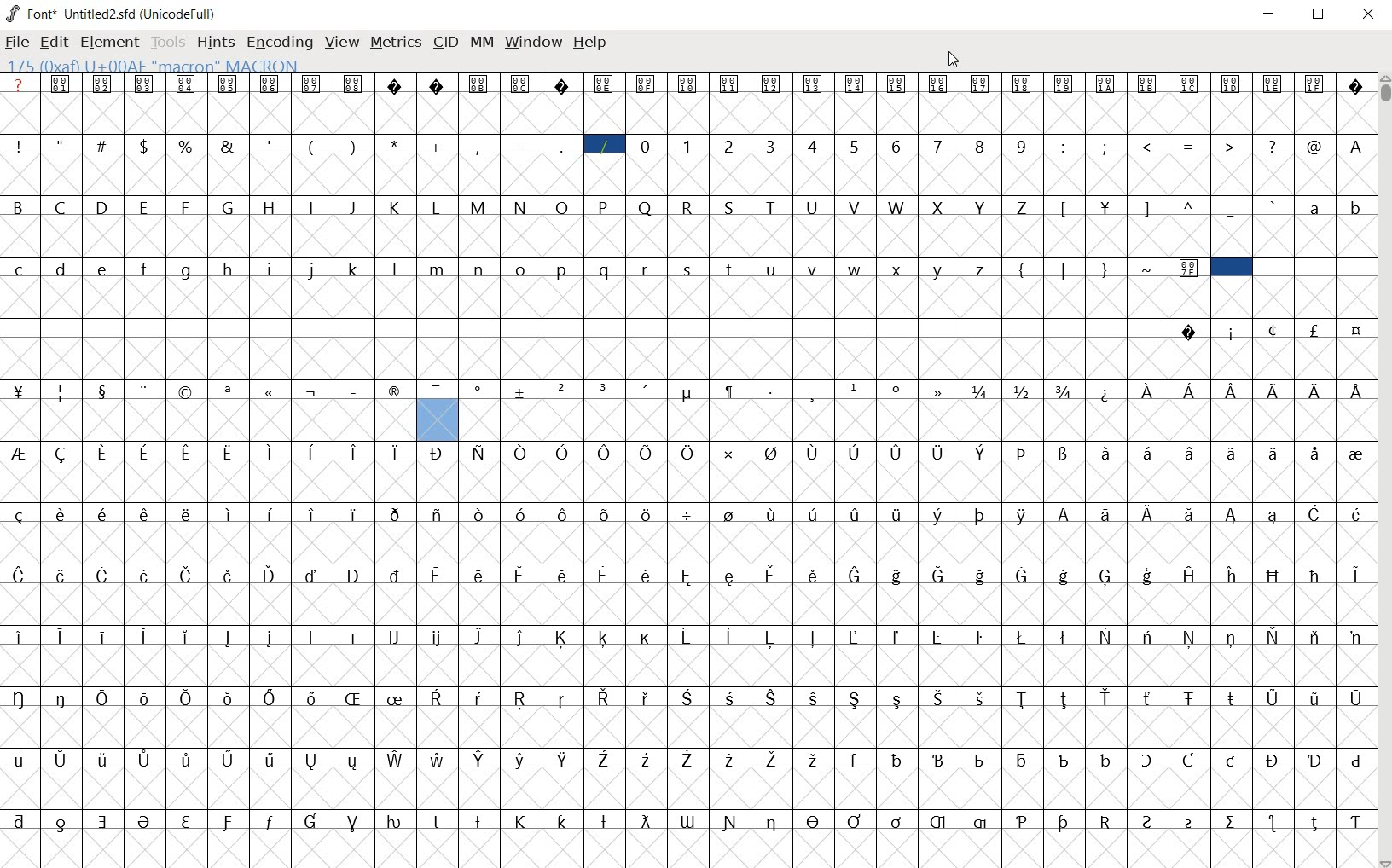 The image size is (1392, 868). What do you see at coordinates (1314, 758) in the screenshot?
I see `Symbol` at bounding box center [1314, 758].